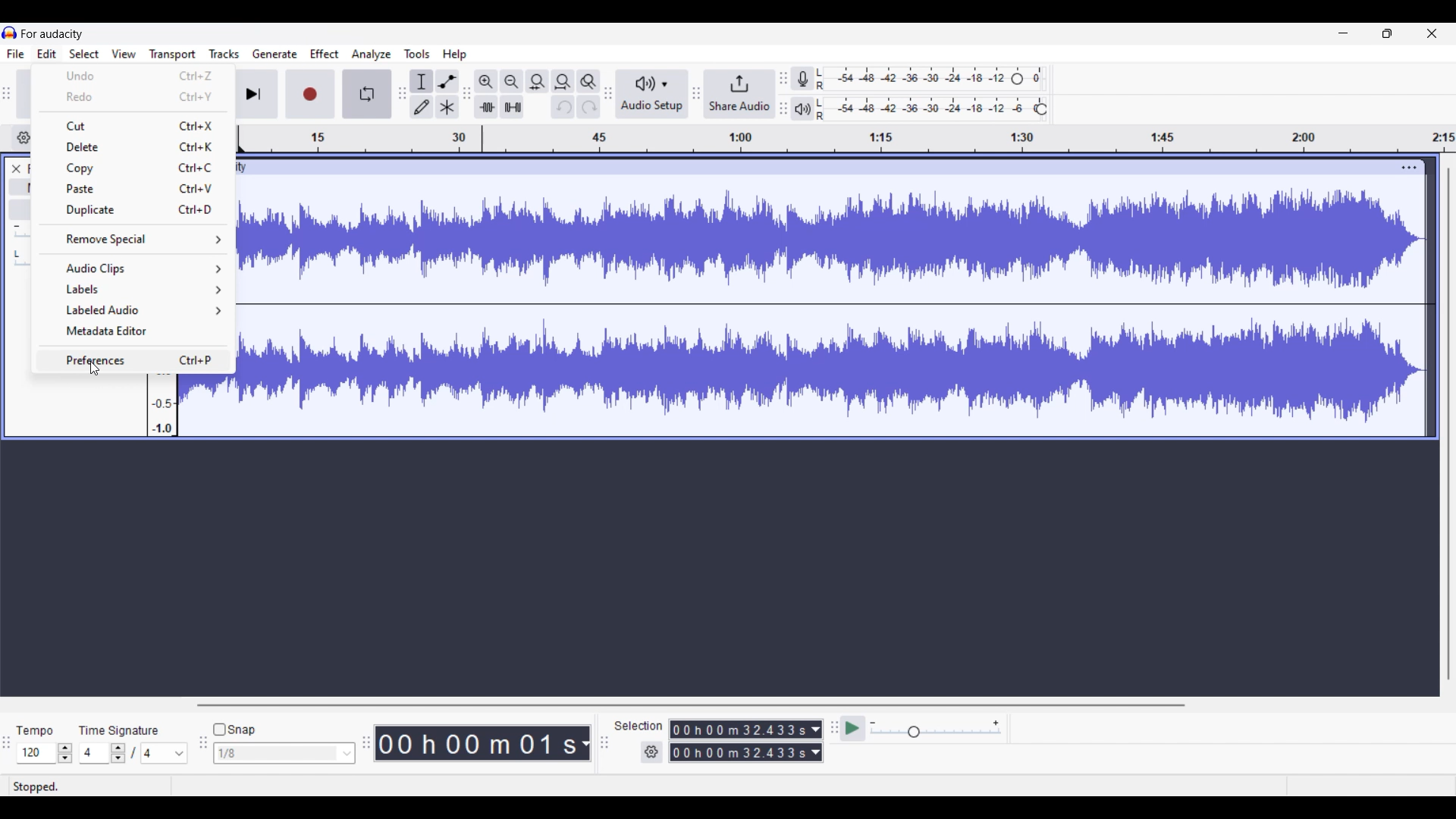 The height and width of the screenshot is (819, 1456). Describe the element at coordinates (1388, 33) in the screenshot. I see `Show in smaller tab` at that location.